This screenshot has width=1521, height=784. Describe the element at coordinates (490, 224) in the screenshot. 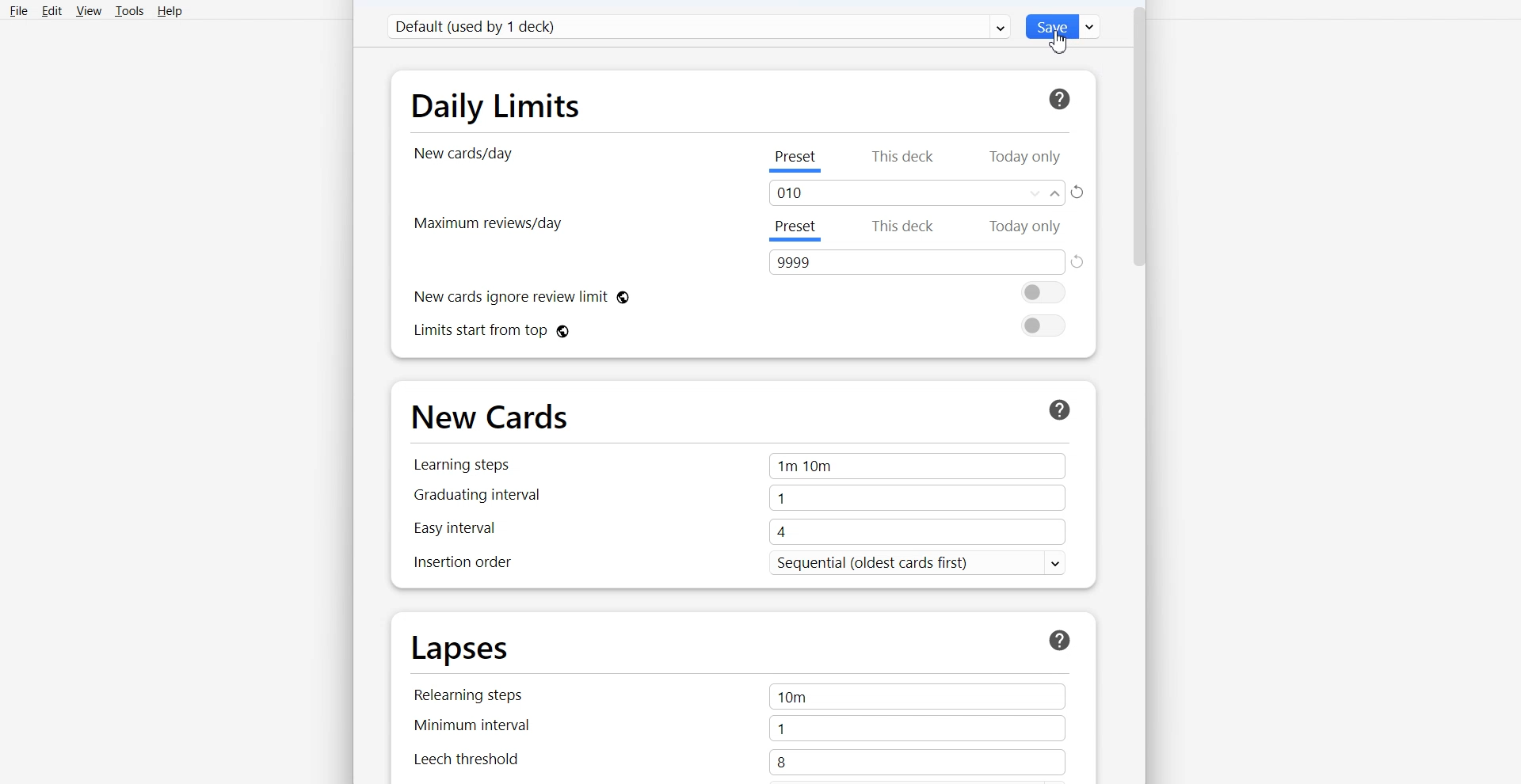

I see `Maximum Review` at that location.